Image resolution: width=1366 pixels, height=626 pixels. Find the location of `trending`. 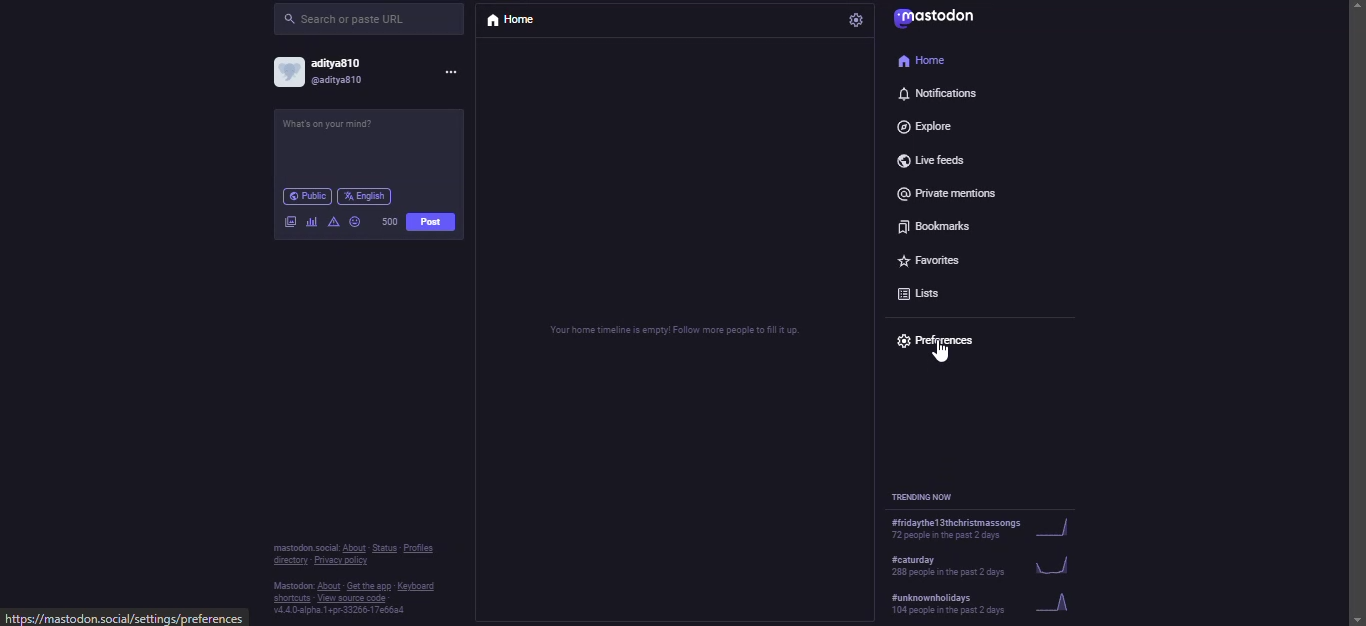

trending is located at coordinates (990, 607).